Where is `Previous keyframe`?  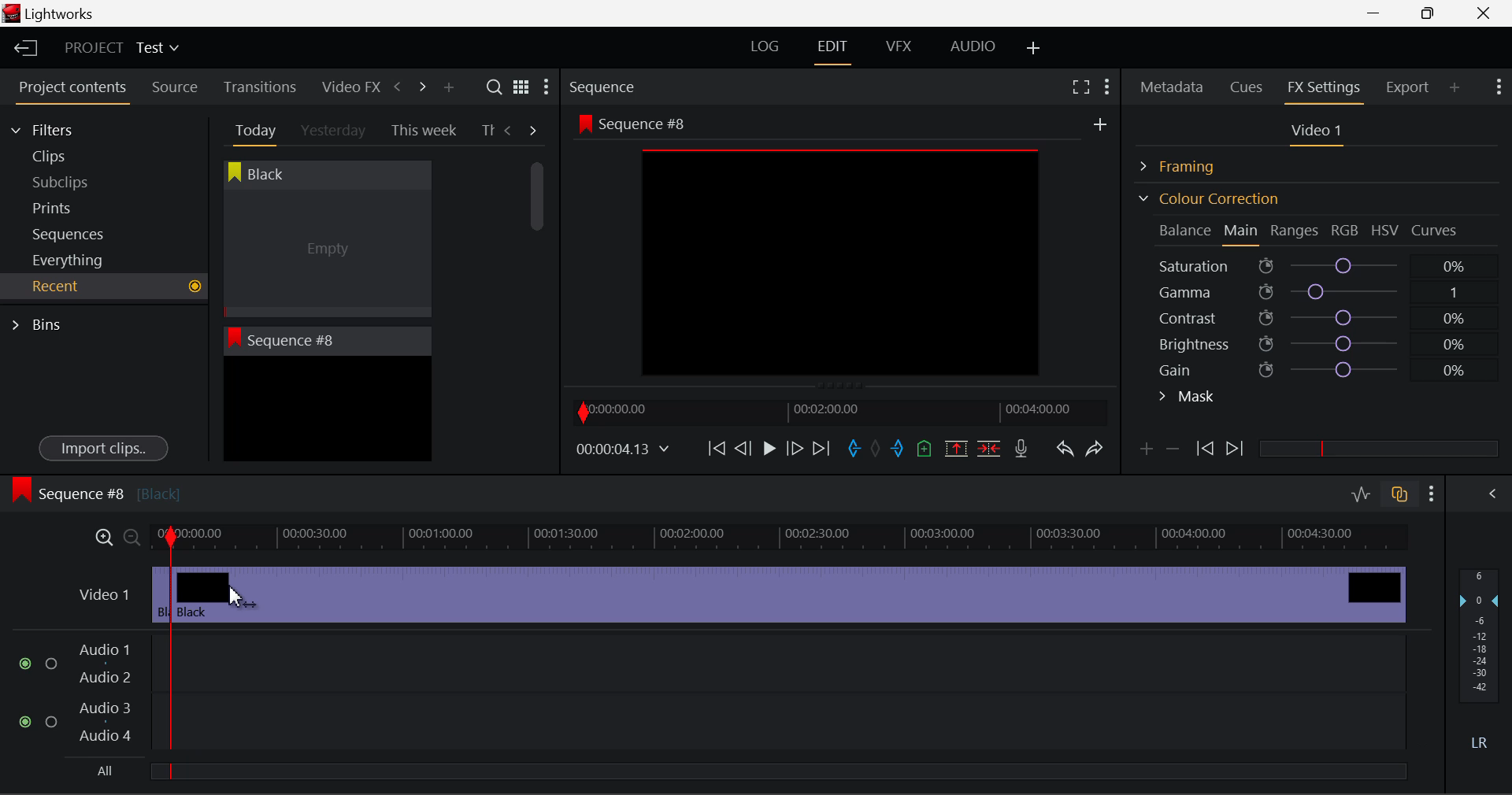
Previous keyframe is located at coordinates (1203, 449).